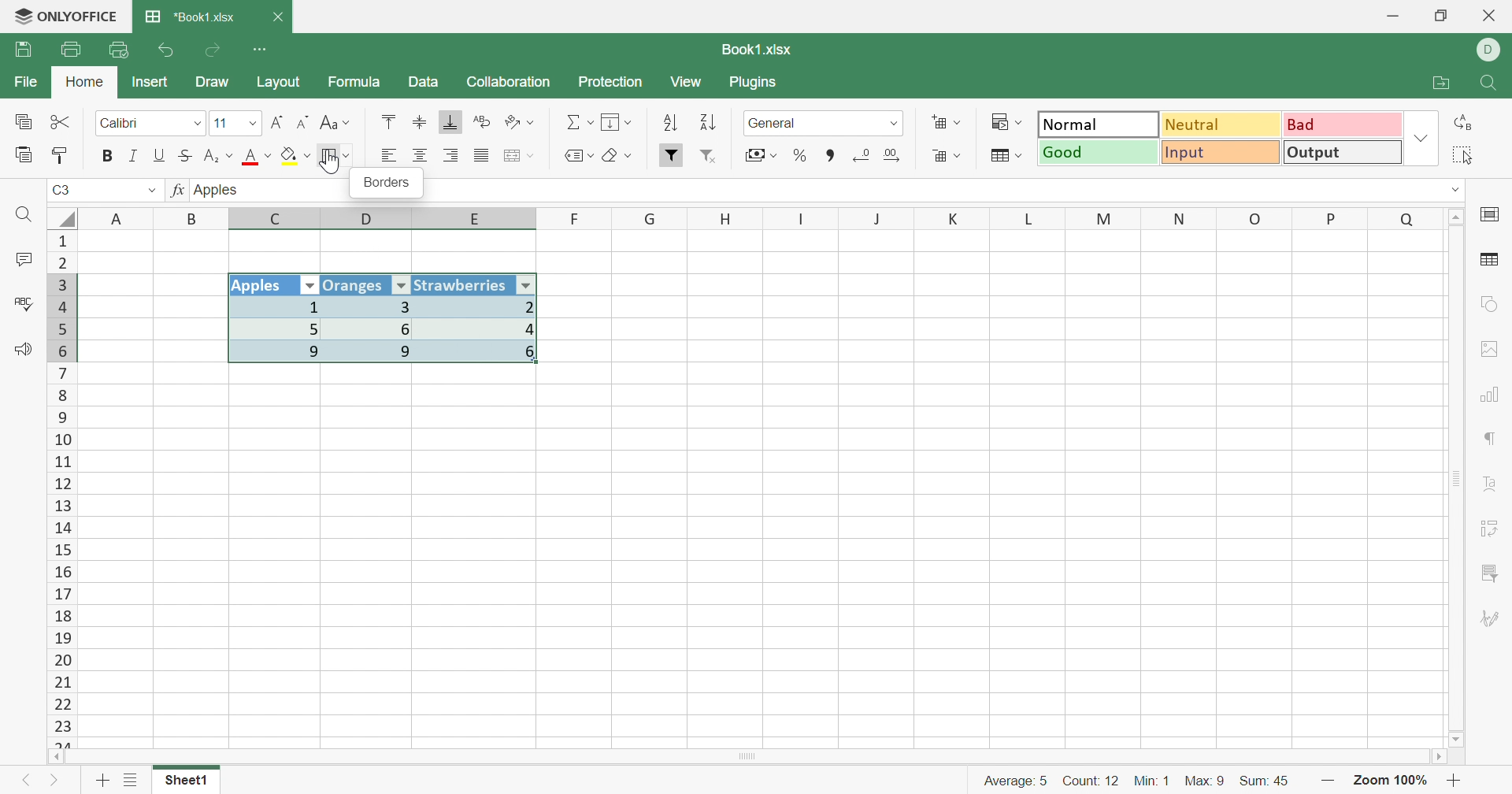 This screenshot has width=1512, height=794. What do you see at coordinates (1008, 779) in the screenshot?
I see `Average: 5` at bounding box center [1008, 779].